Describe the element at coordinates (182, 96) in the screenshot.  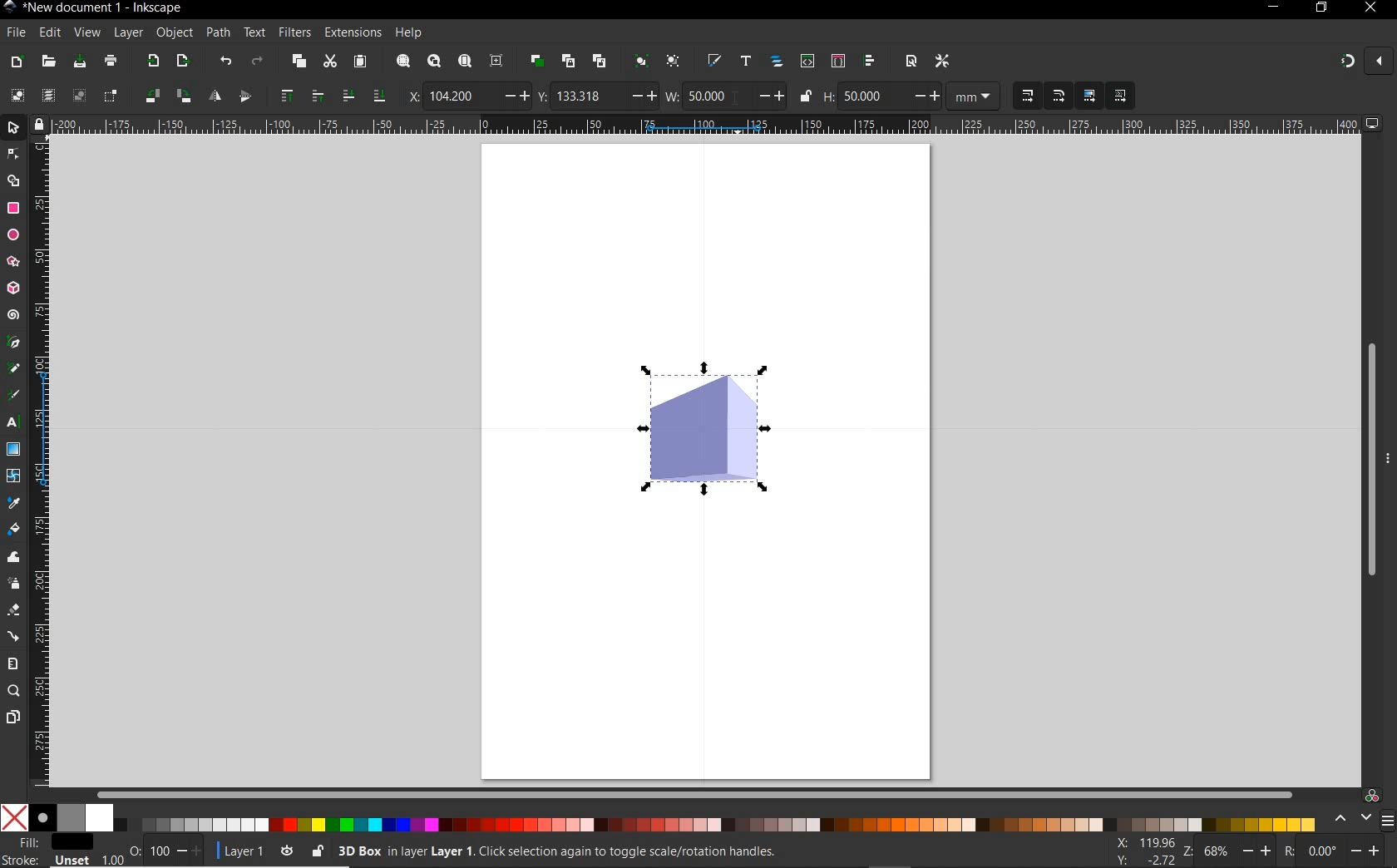
I see `object rotate` at that location.